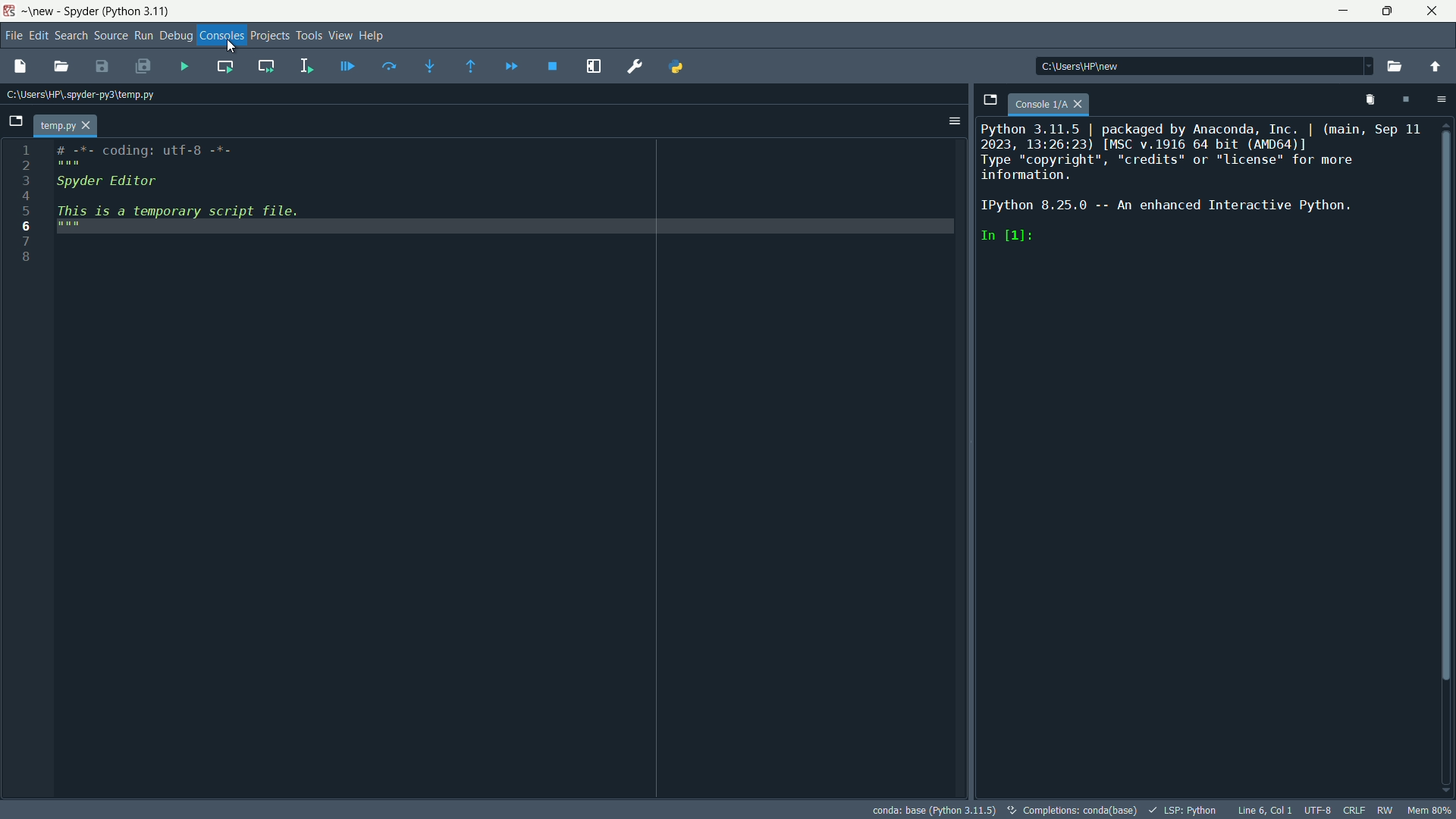  What do you see at coordinates (1370, 100) in the screenshot?
I see `remove all variables from namespace ` at bounding box center [1370, 100].